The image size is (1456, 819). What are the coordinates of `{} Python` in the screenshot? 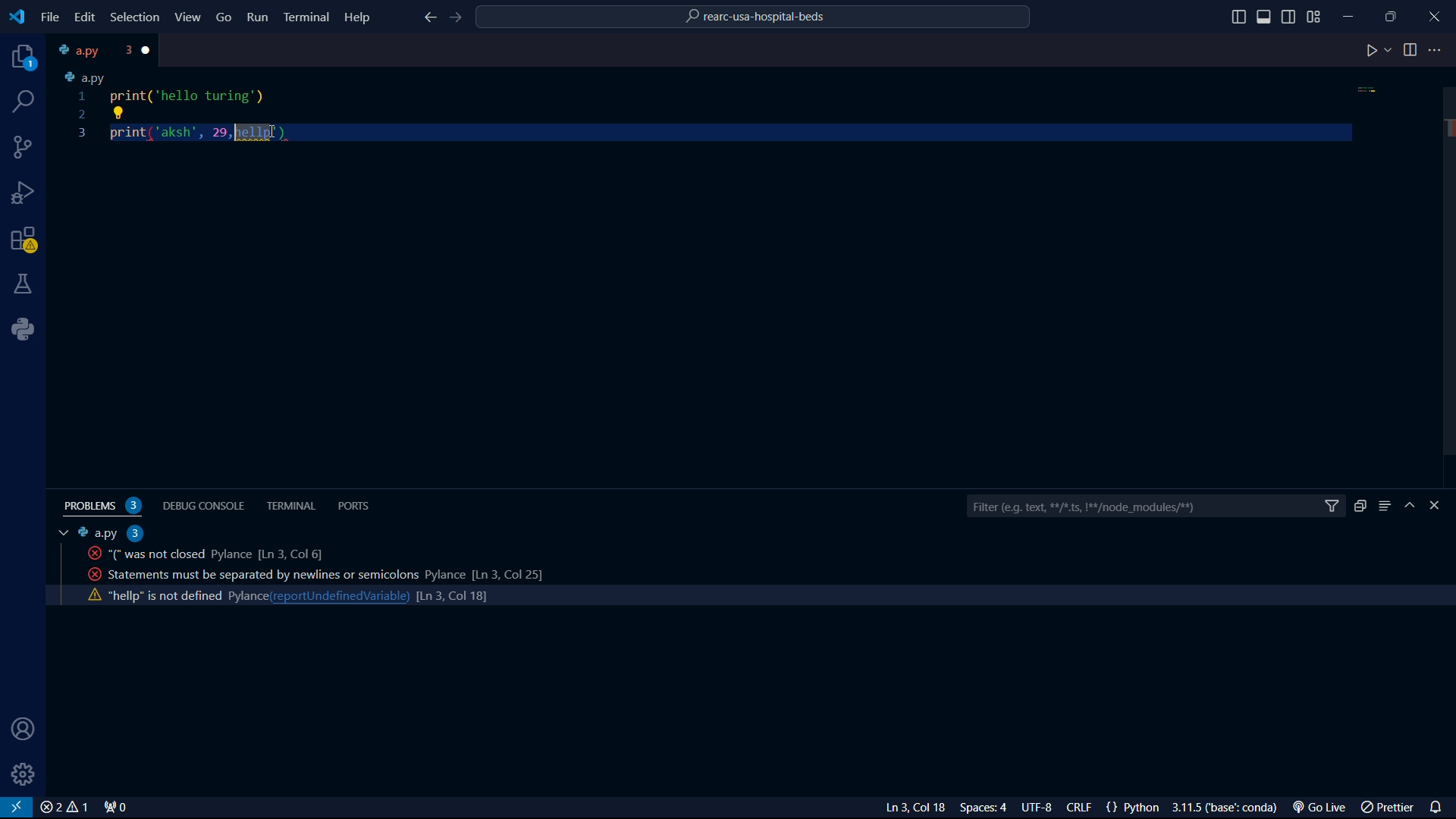 It's located at (1135, 808).